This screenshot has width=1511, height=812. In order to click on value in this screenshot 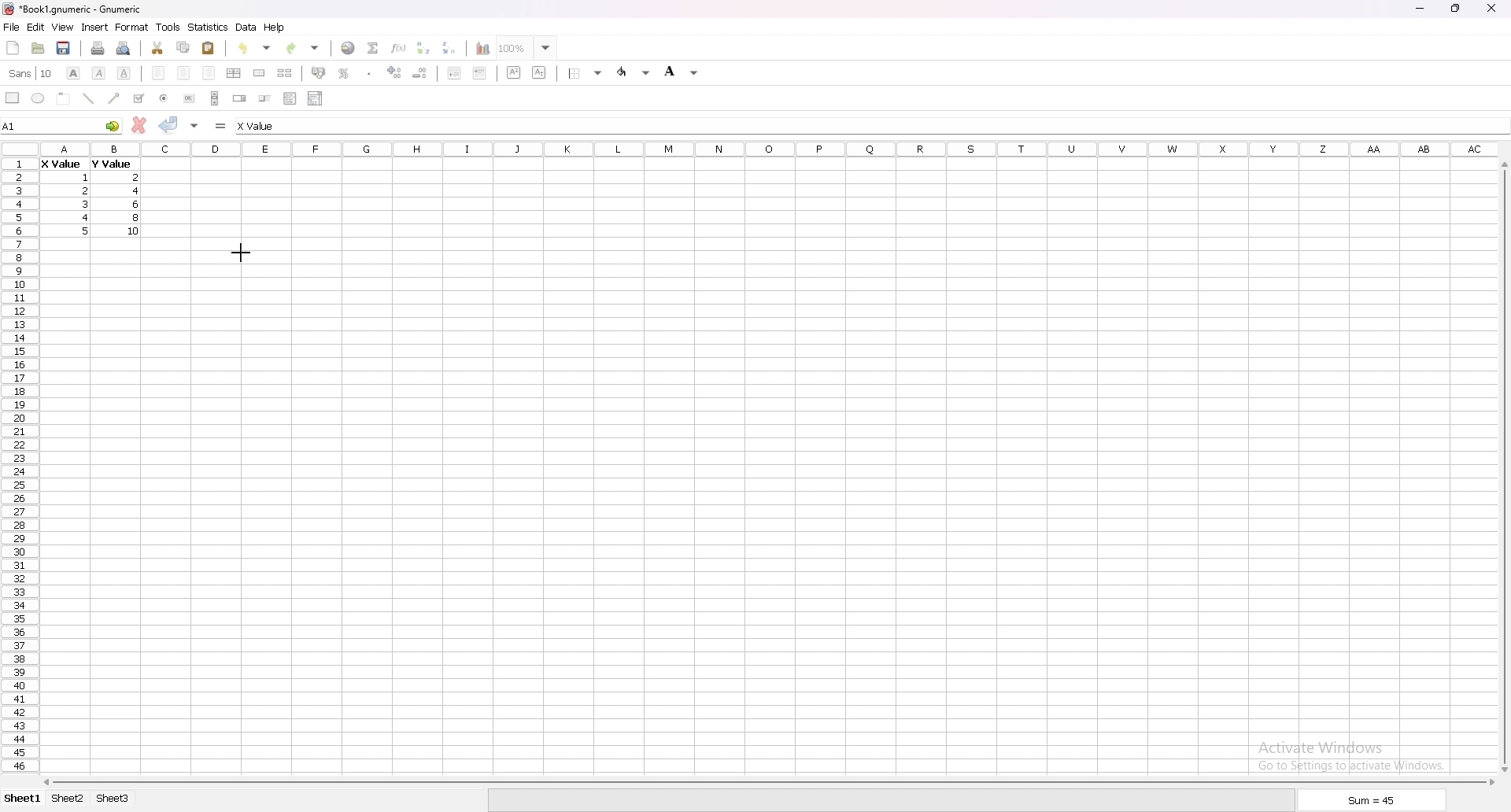, I will do `click(135, 231)`.